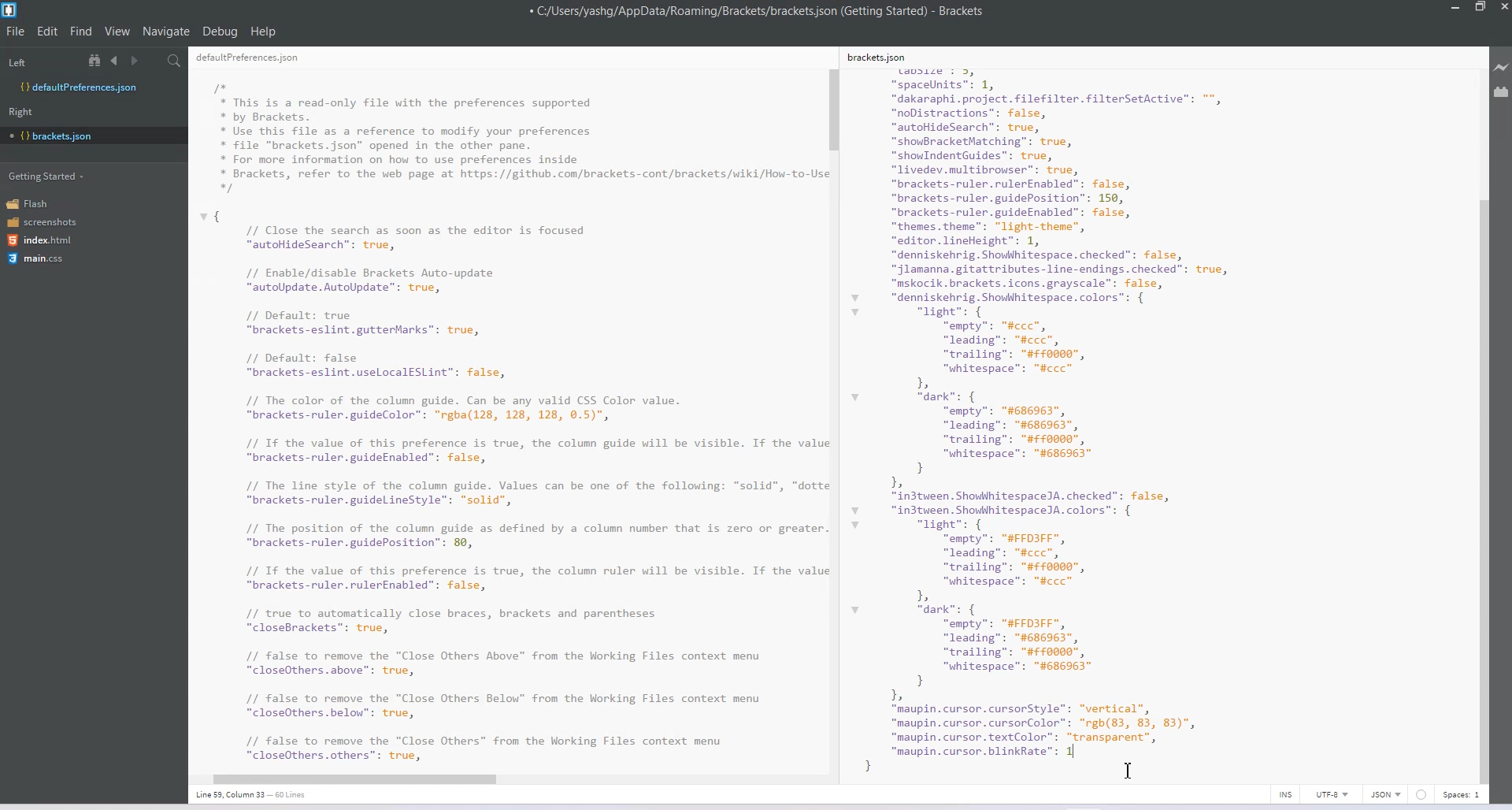 This screenshot has width=1512, height=810. Describe the element at coordinates (33, 203) in the screenshot. I see `Flash` at that location.